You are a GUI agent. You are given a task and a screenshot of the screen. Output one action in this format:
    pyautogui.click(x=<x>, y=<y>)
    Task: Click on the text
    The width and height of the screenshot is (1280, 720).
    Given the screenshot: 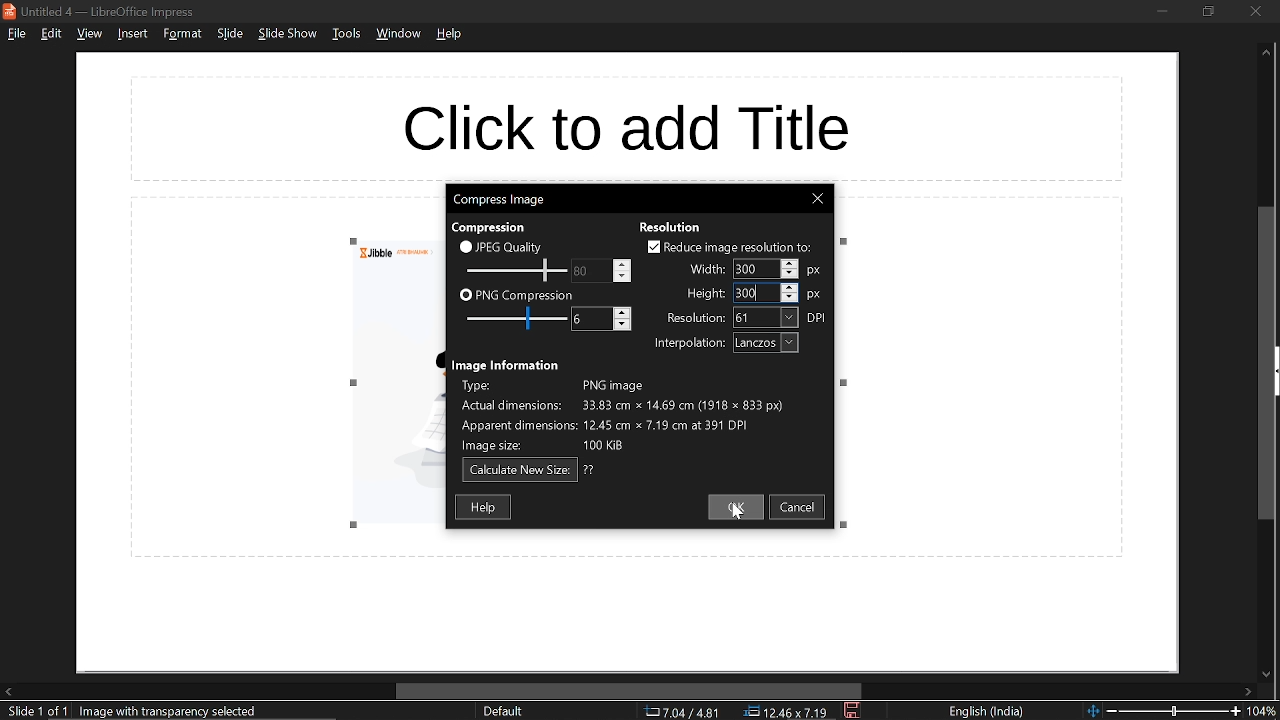 What is the action you would take?
    pyautogui.click(x=706, y=294)
    